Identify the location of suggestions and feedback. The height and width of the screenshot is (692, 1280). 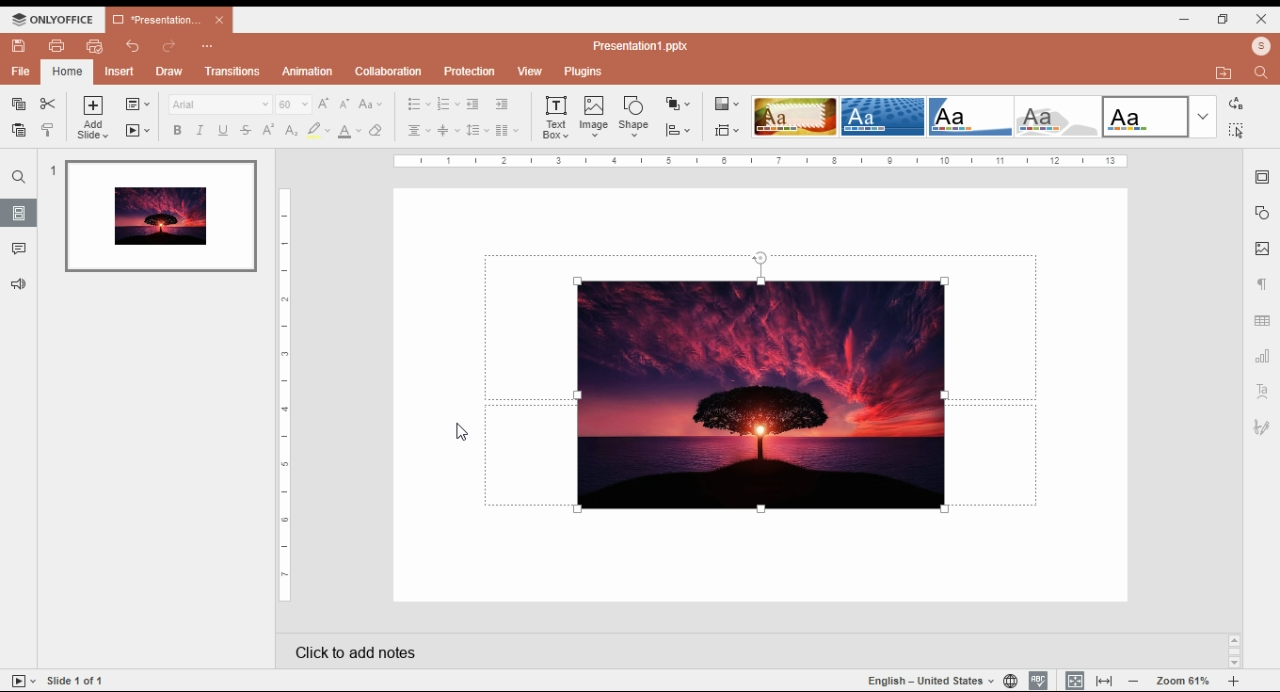
(20, 285).